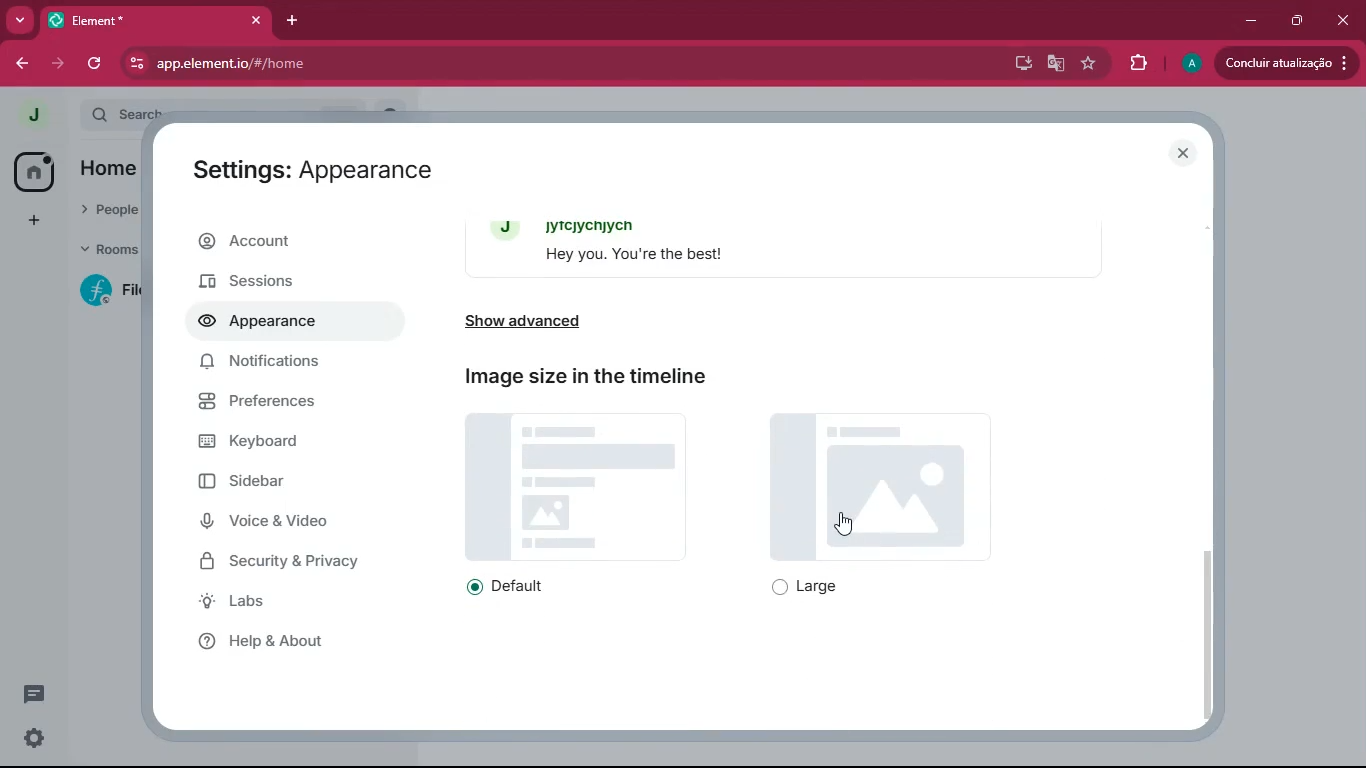 The width and height of the screenshot is (1366, 768). I want to click on sessions, so click(283, 280).